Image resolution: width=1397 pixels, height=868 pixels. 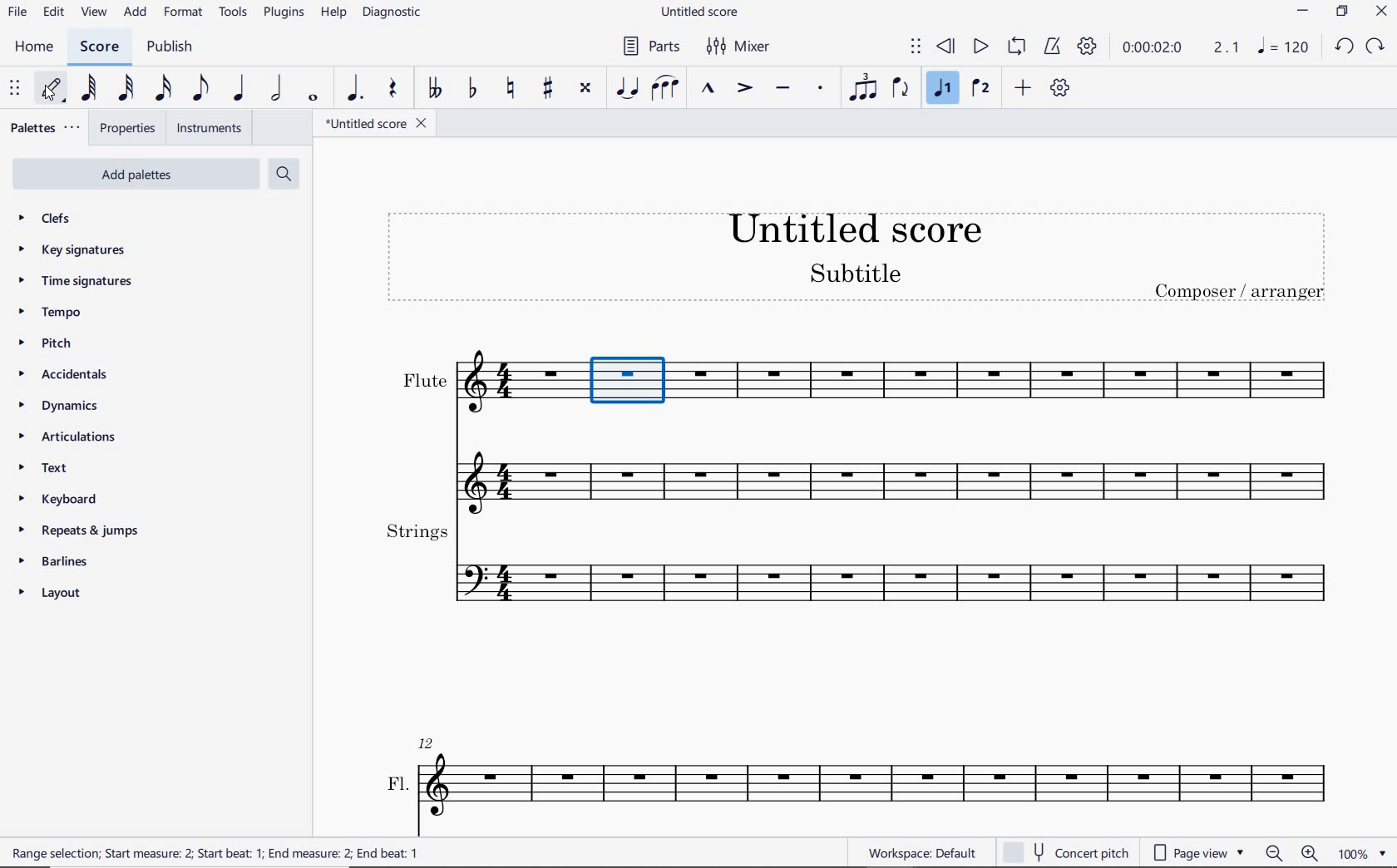 What do you see at coordinates (220, 853) in the screenshot?
I see `RANGE SELECTION` at bounding box center [220, 853].